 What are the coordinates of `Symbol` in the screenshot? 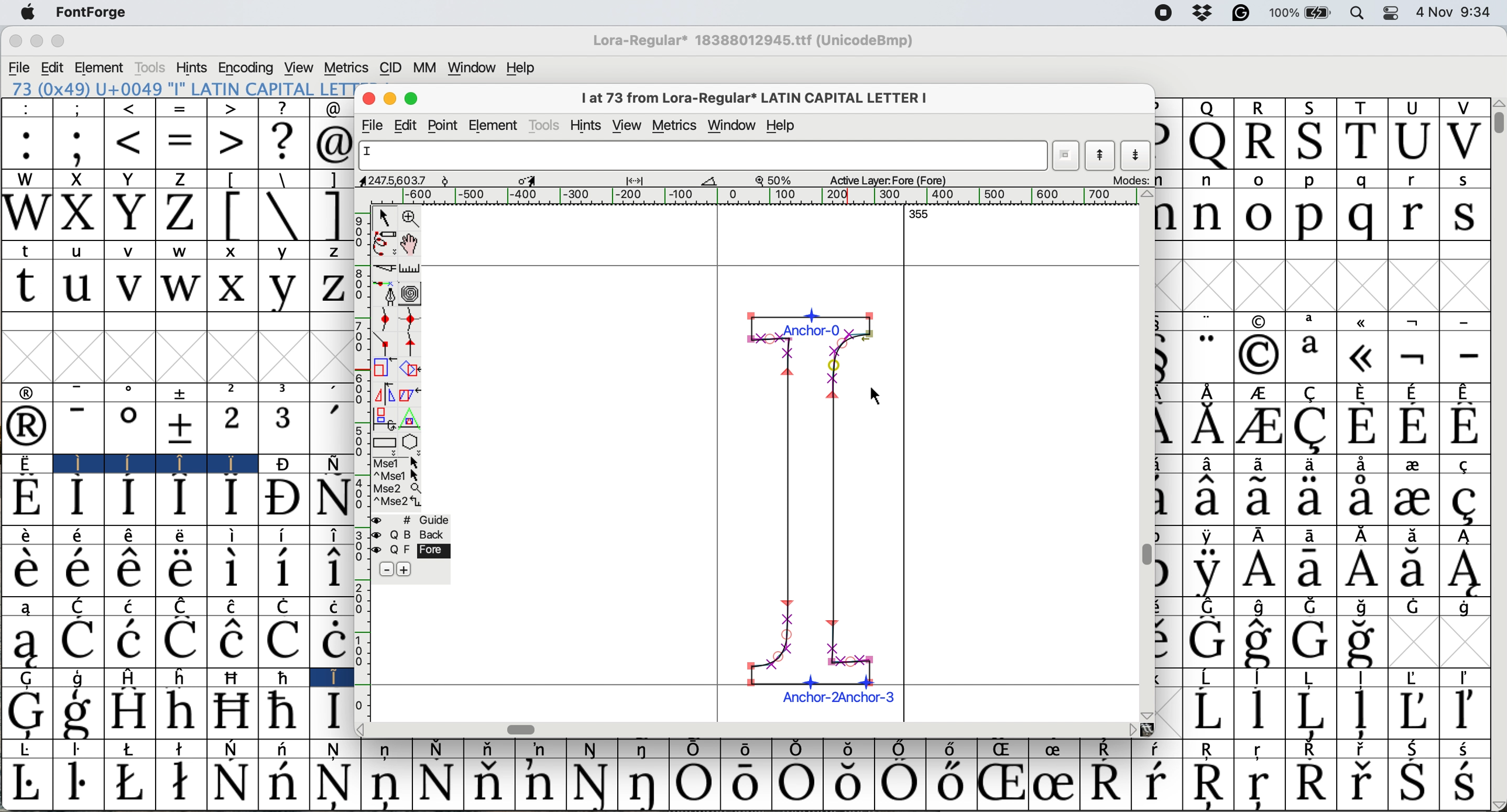 It's located at (236, 677).